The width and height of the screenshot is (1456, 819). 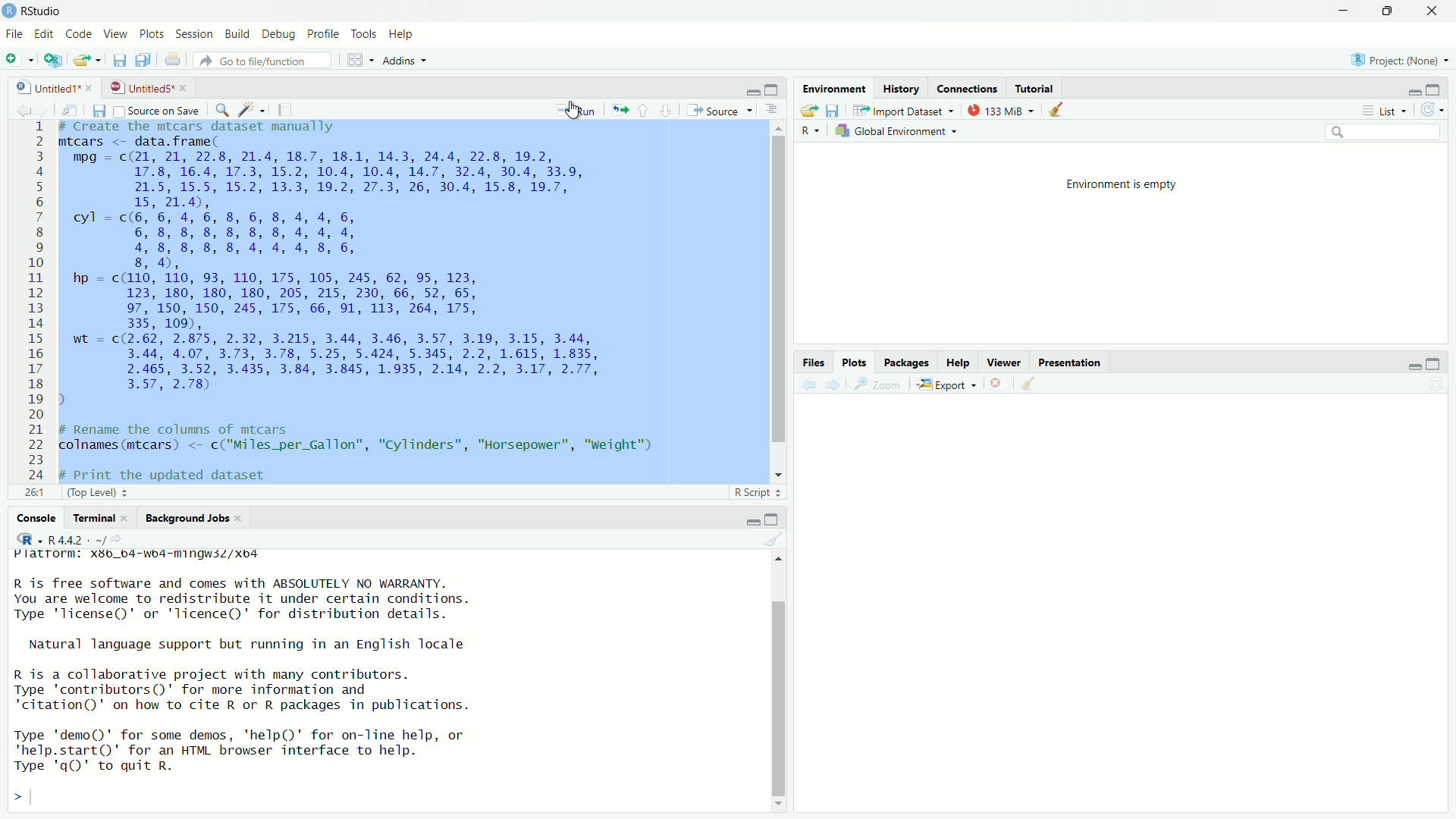 I want to click on maximise, so click(x=775, y=518).